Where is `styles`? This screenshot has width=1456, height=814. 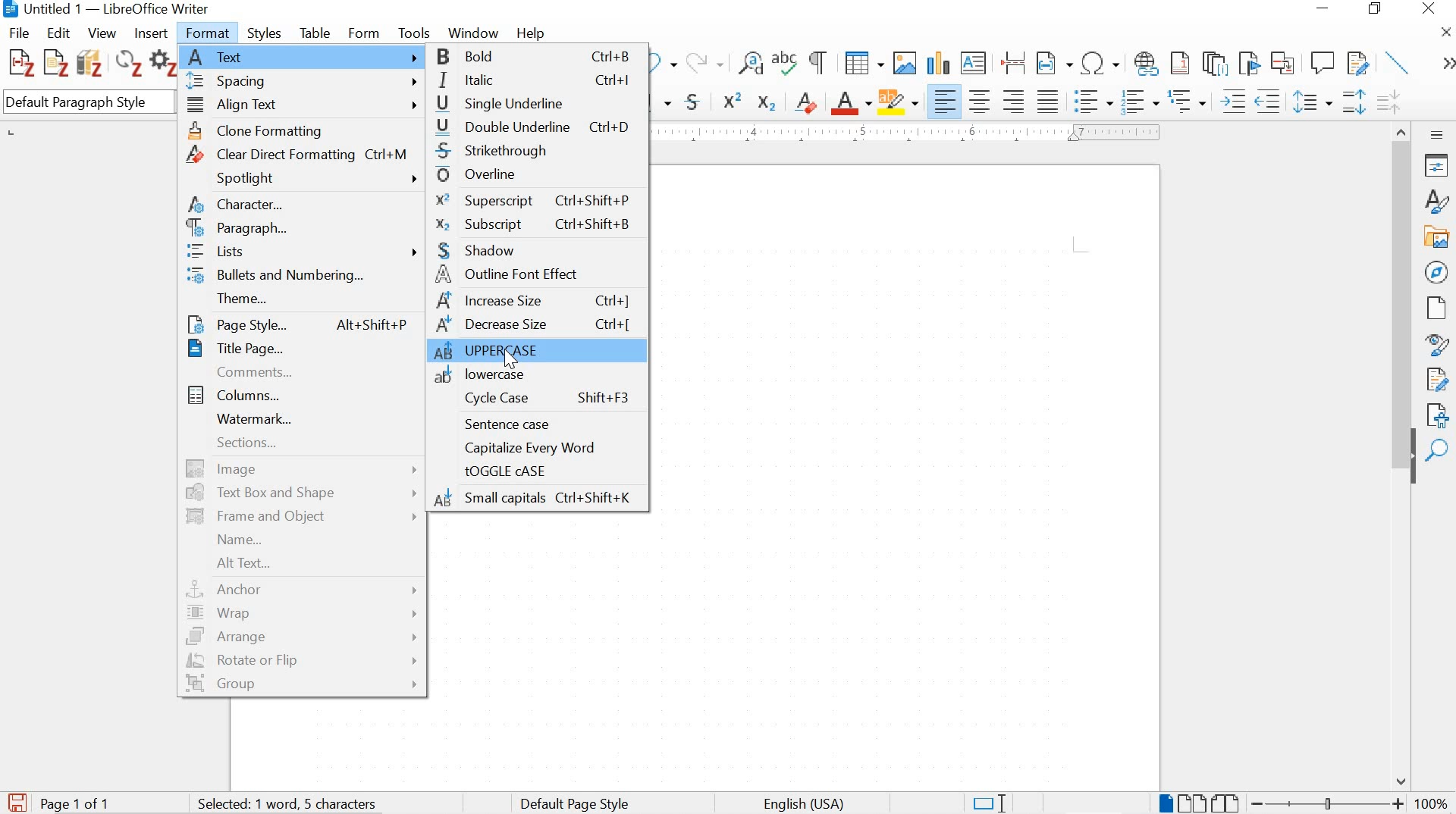 styles is located at coordinates (267, 32).